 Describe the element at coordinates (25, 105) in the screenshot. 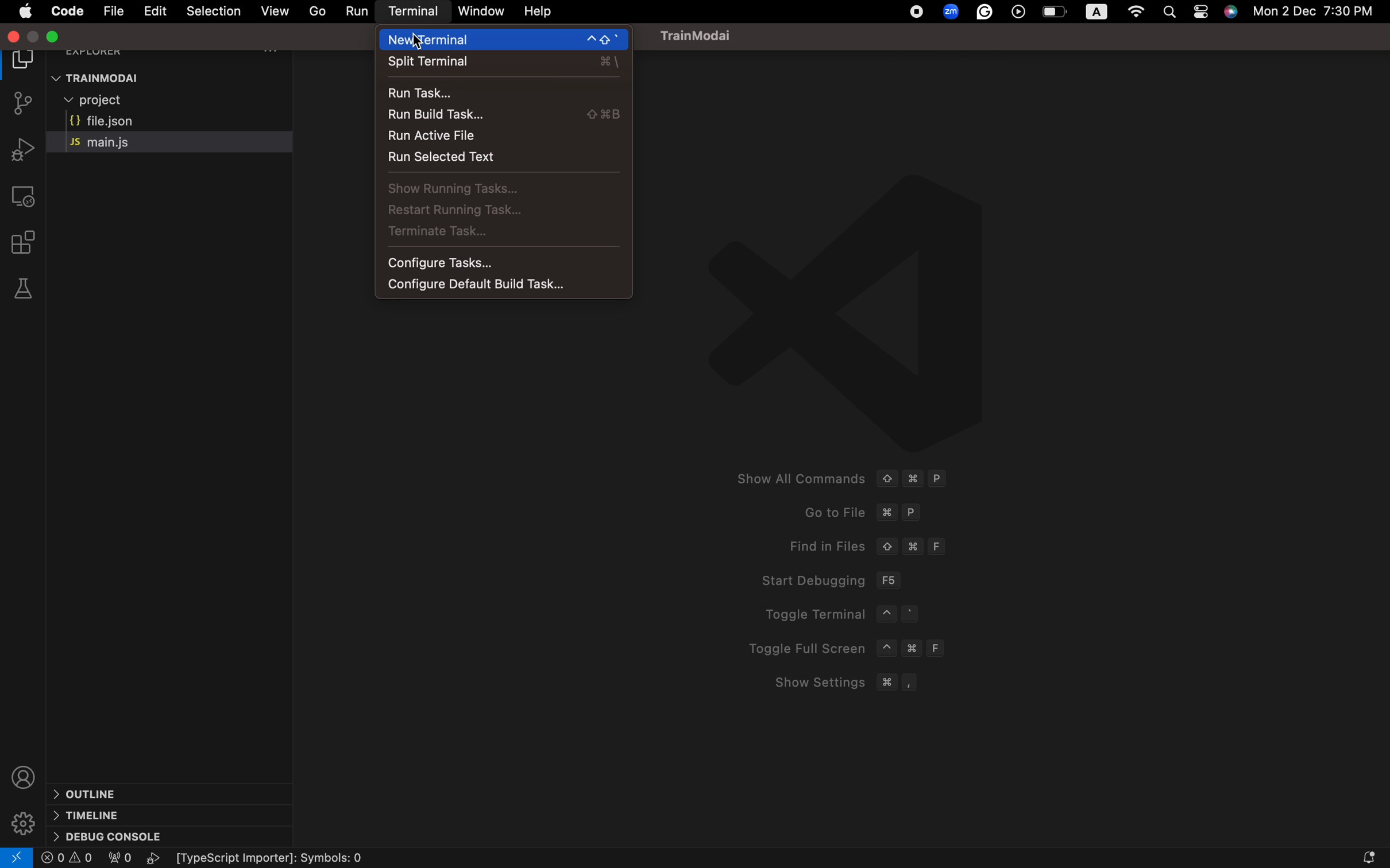

I see `git` at that location.